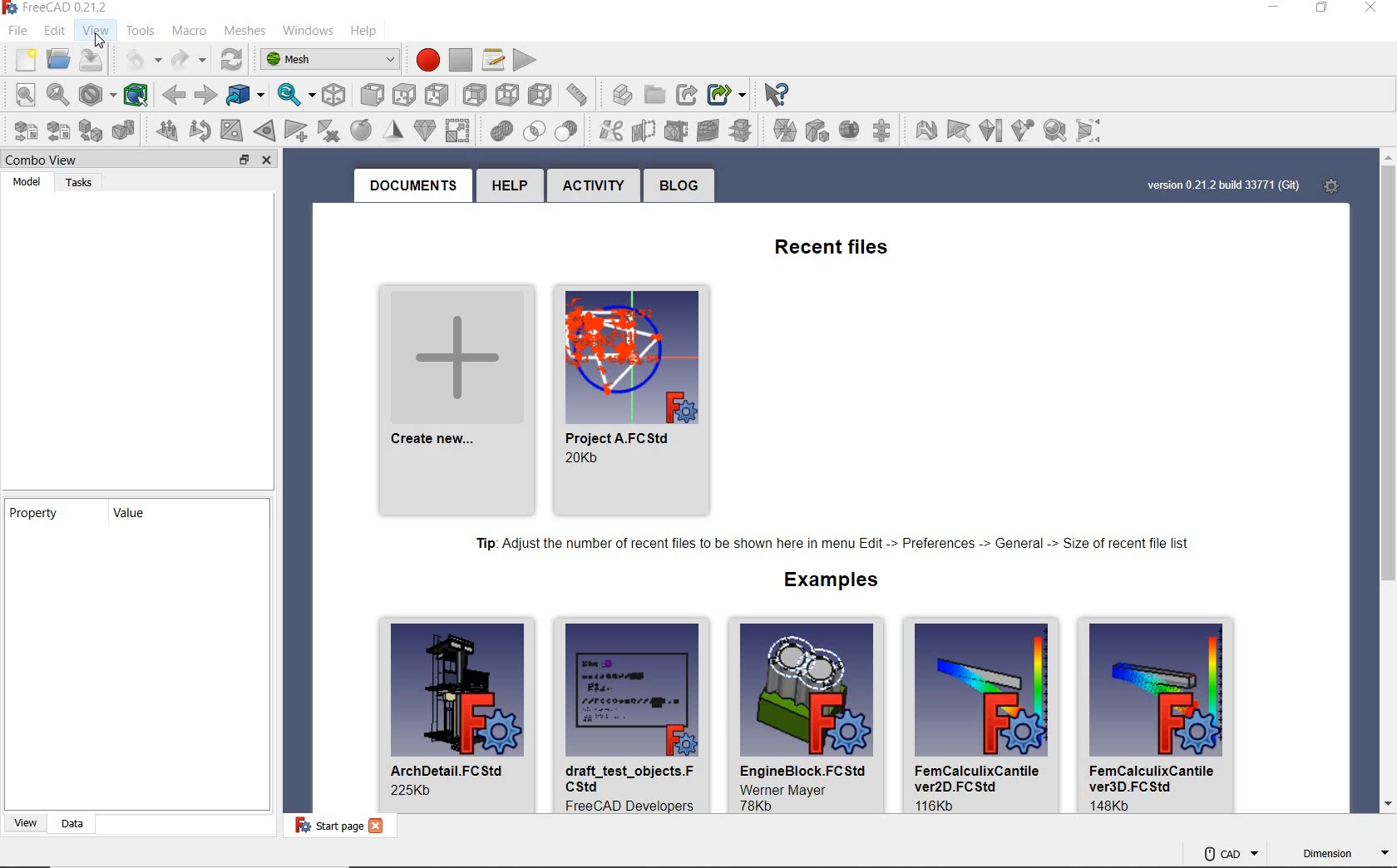 This screenshot has height=868, width=1397. What do you see at coordinates (423, 129) in the screenshot?
I see `scale` at bounding box center [423, 129].